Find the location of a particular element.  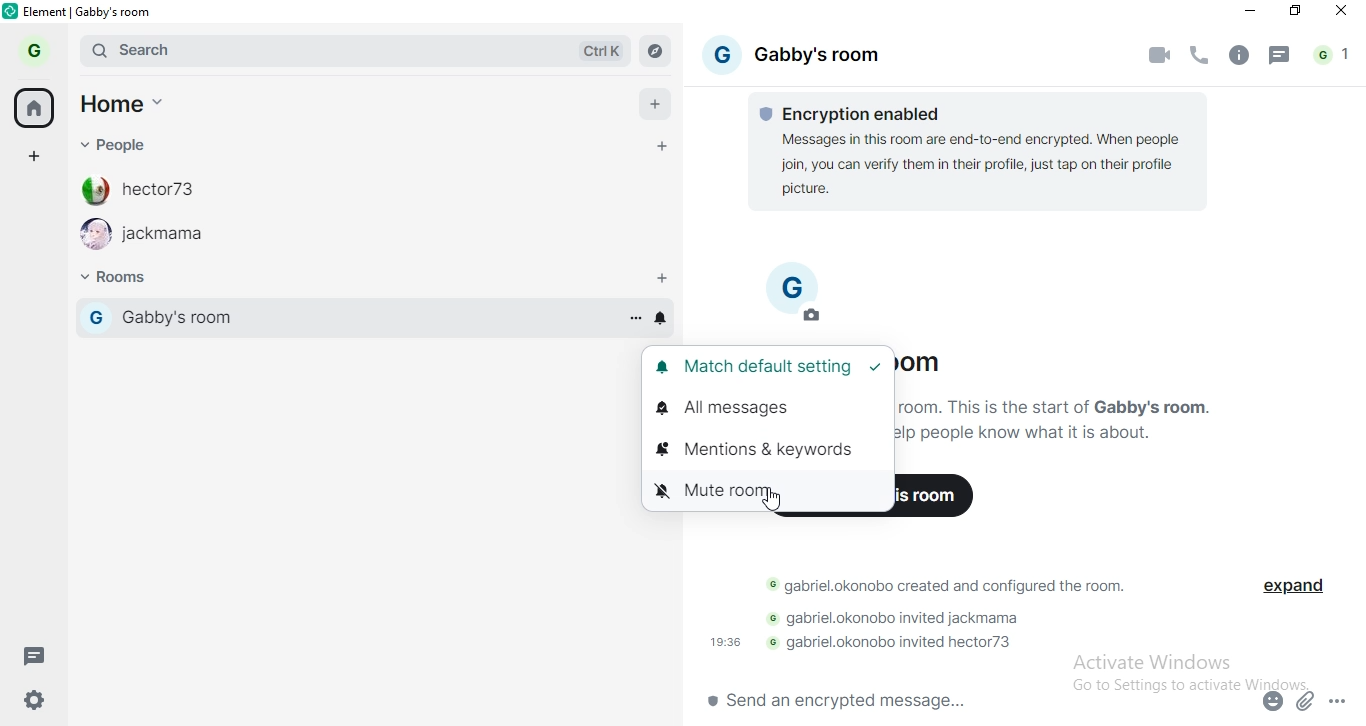

navigate is located at coordinates (658, 54).